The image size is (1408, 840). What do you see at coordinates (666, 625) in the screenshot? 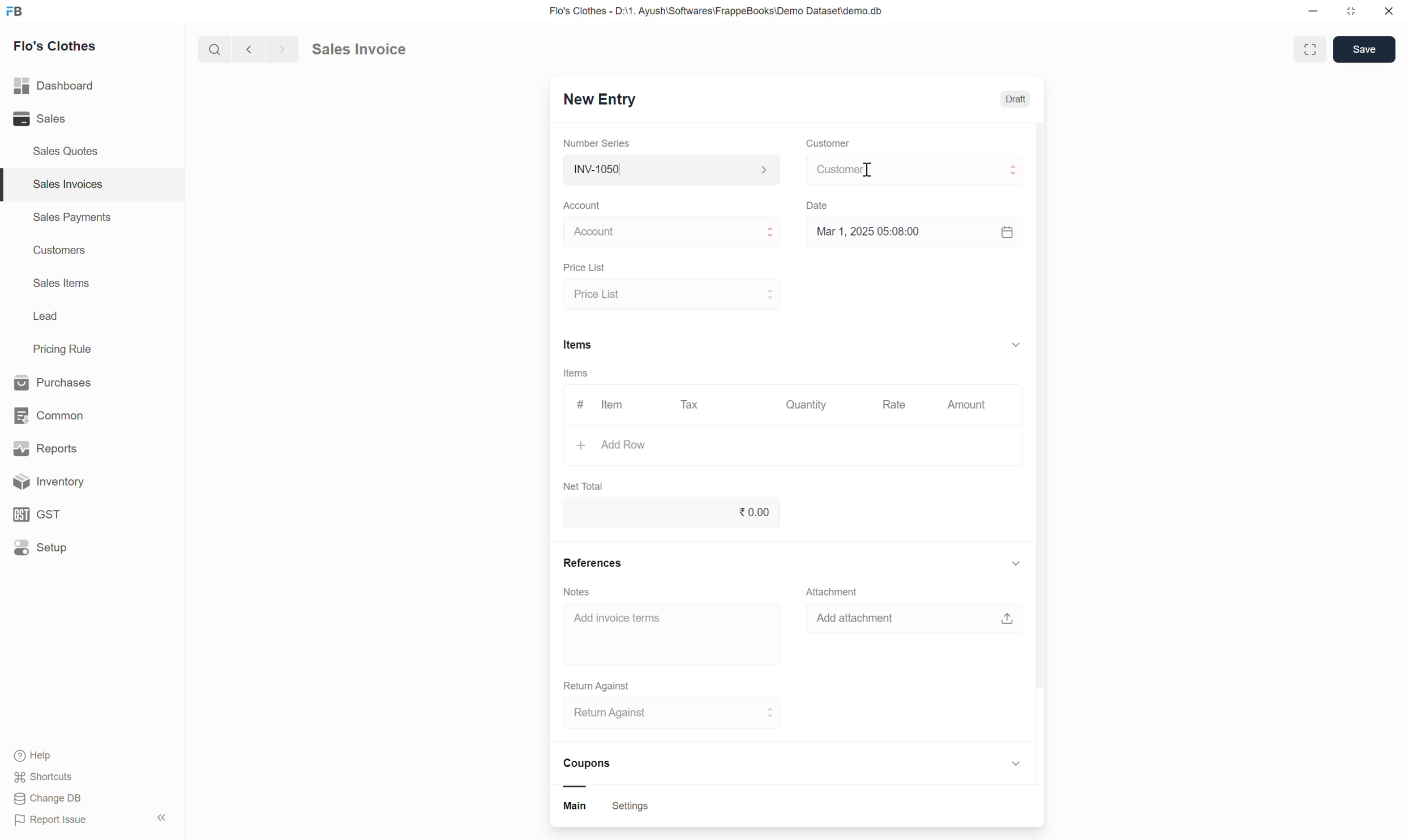
I see `Add invoice term input box` at bounding box center [666, 625].